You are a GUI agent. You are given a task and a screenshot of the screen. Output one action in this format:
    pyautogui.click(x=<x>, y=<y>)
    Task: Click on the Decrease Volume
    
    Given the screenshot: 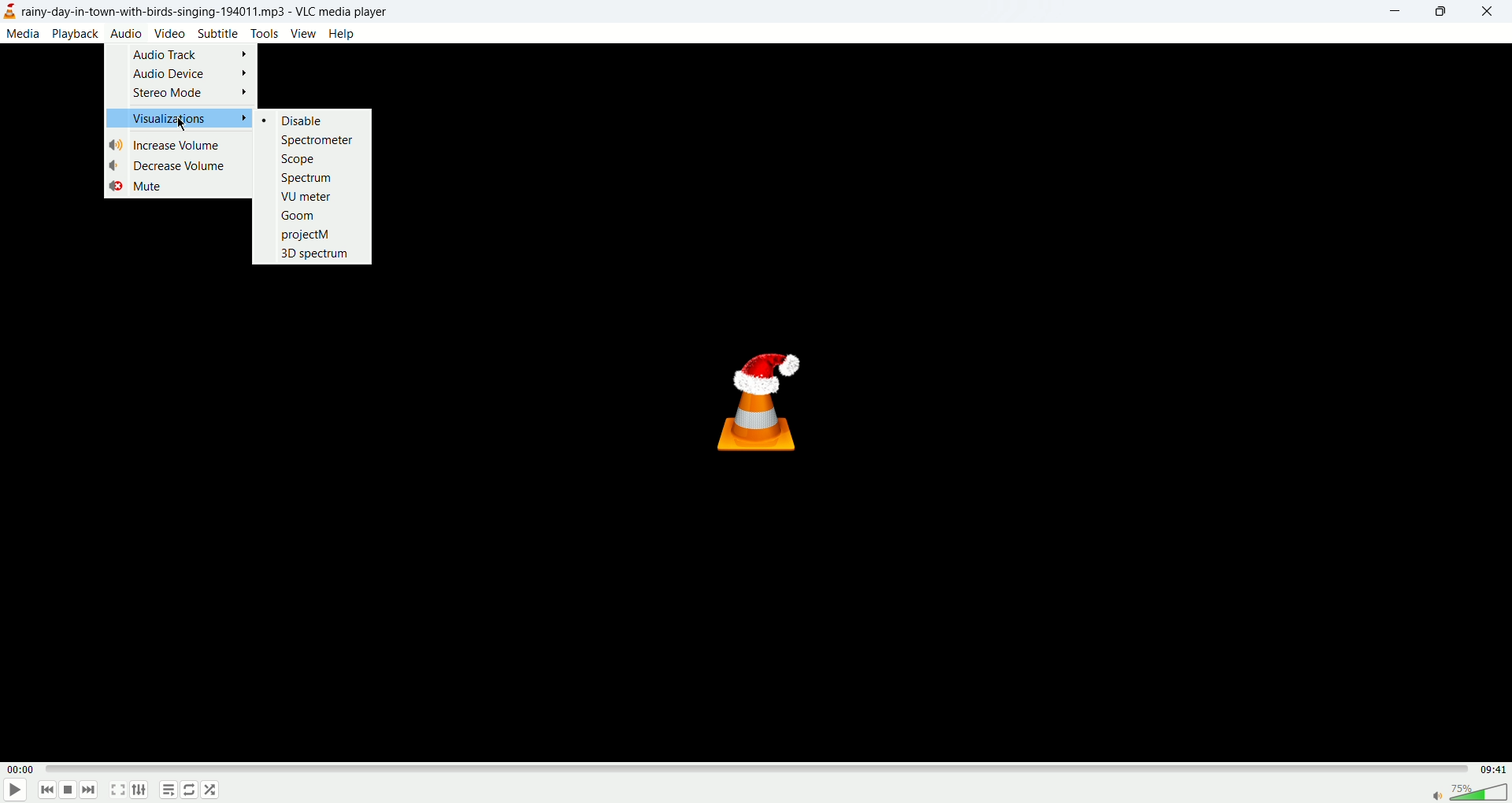 What is the action you would take?
    pyautogui.click(x=172, y=166)
    